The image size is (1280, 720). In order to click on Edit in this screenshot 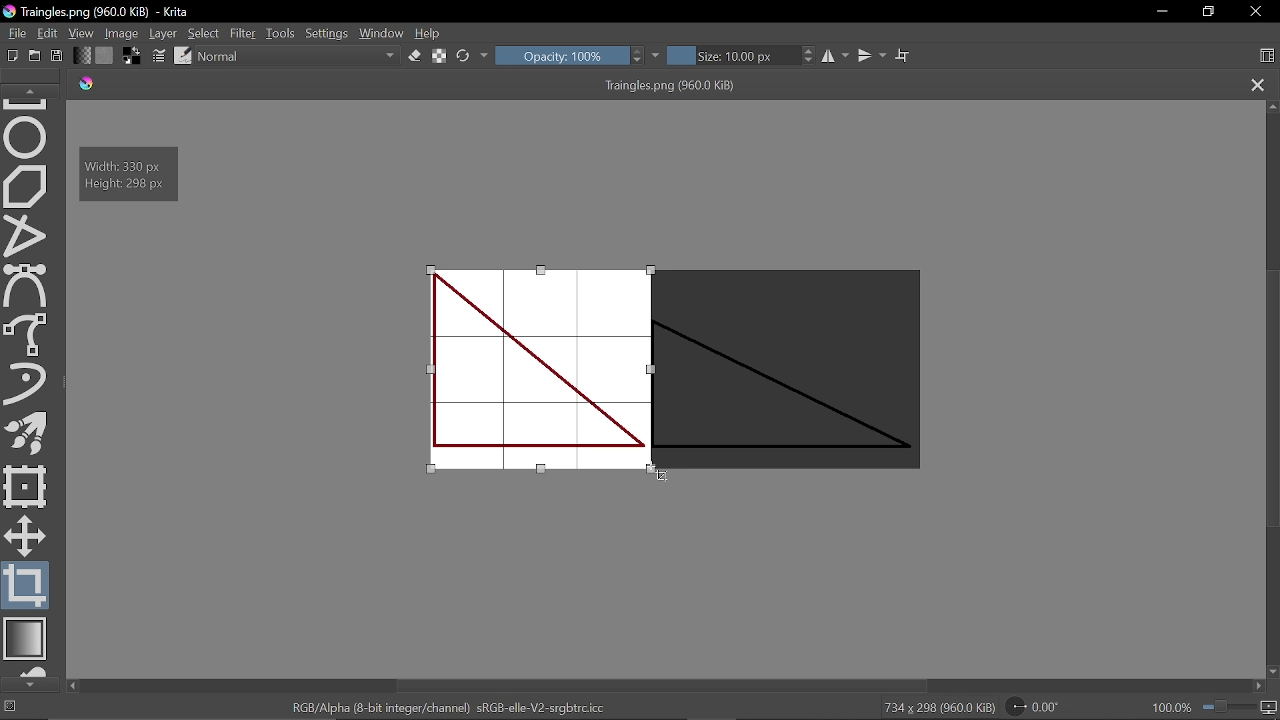, I will do `click(49, 34)`.